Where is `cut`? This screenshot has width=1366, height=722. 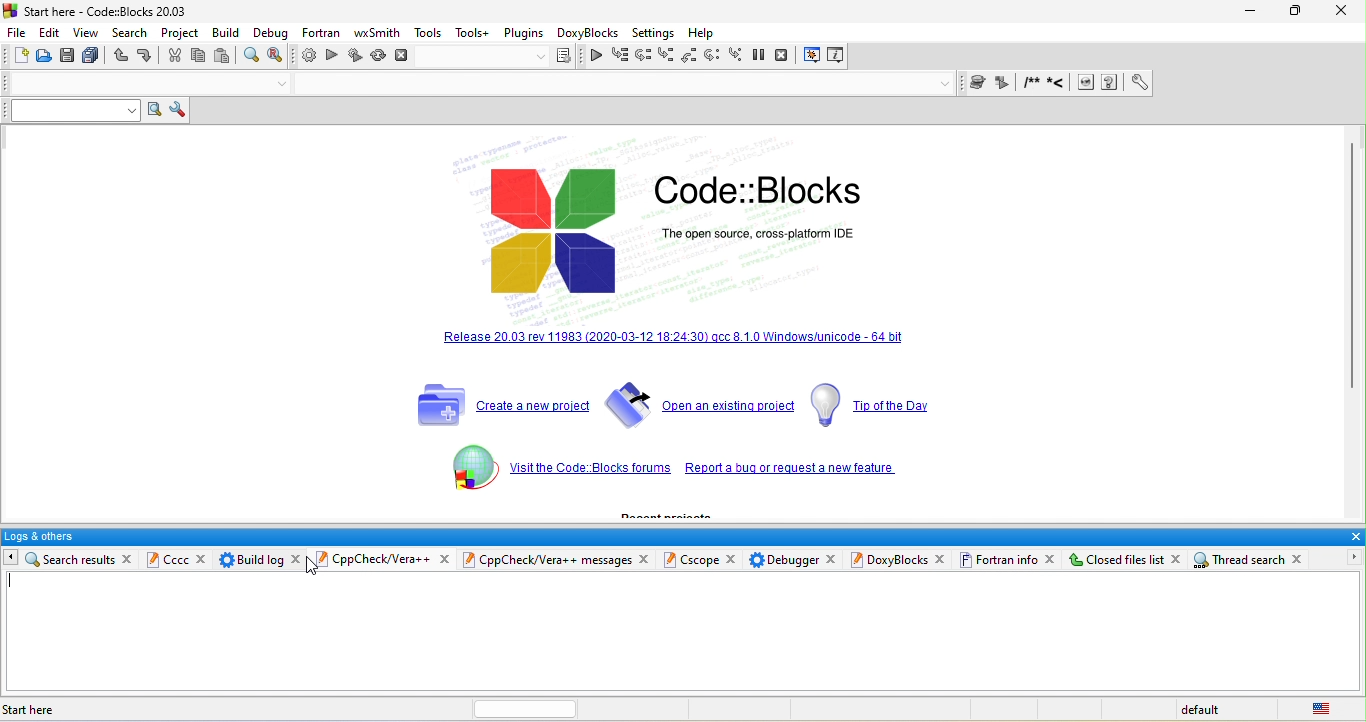 cut is located at coordinates (175, 57).